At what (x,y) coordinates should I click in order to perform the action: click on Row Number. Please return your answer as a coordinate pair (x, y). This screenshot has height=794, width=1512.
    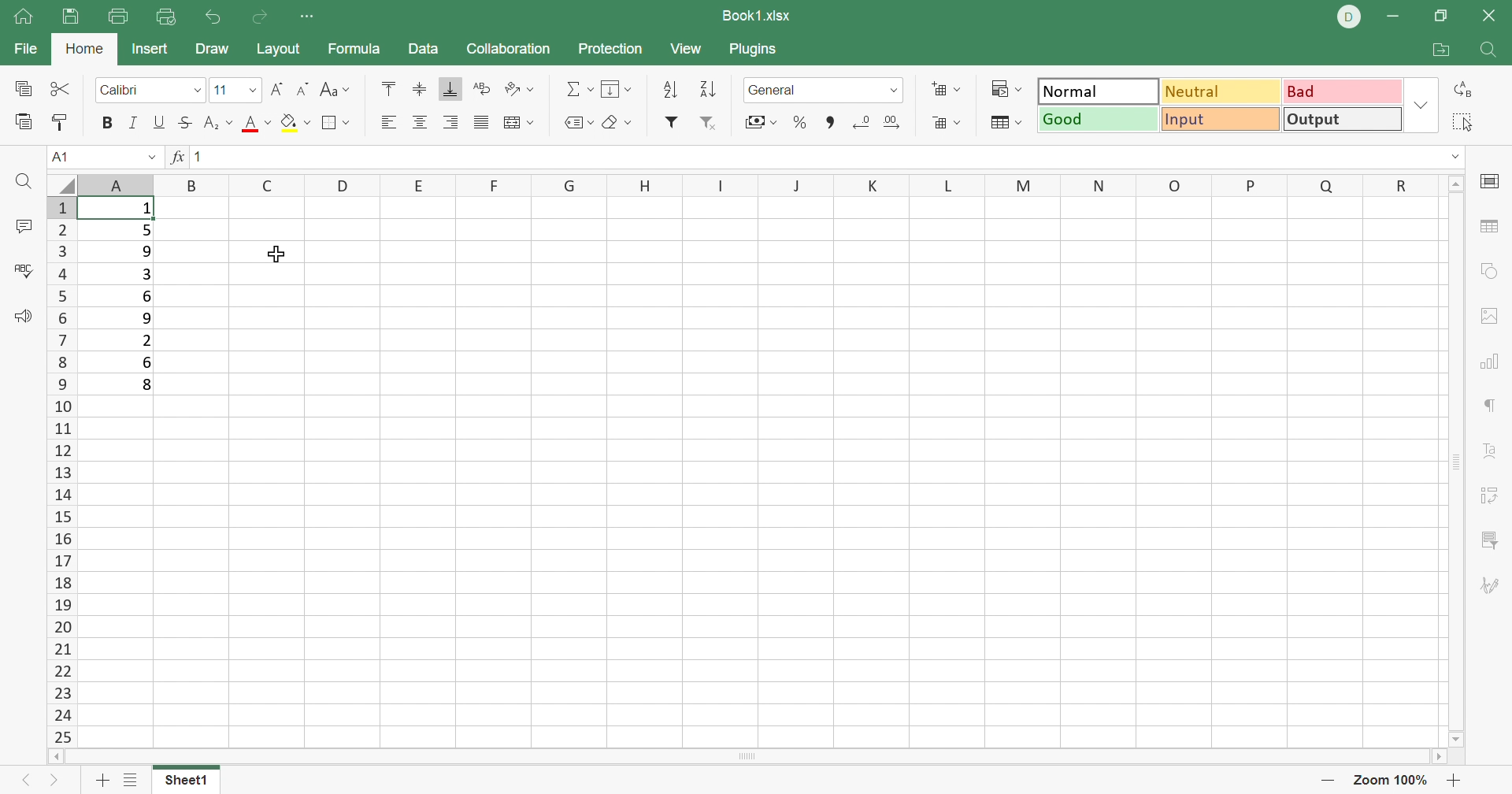
    Looking at the image, I should click on (63, 471).